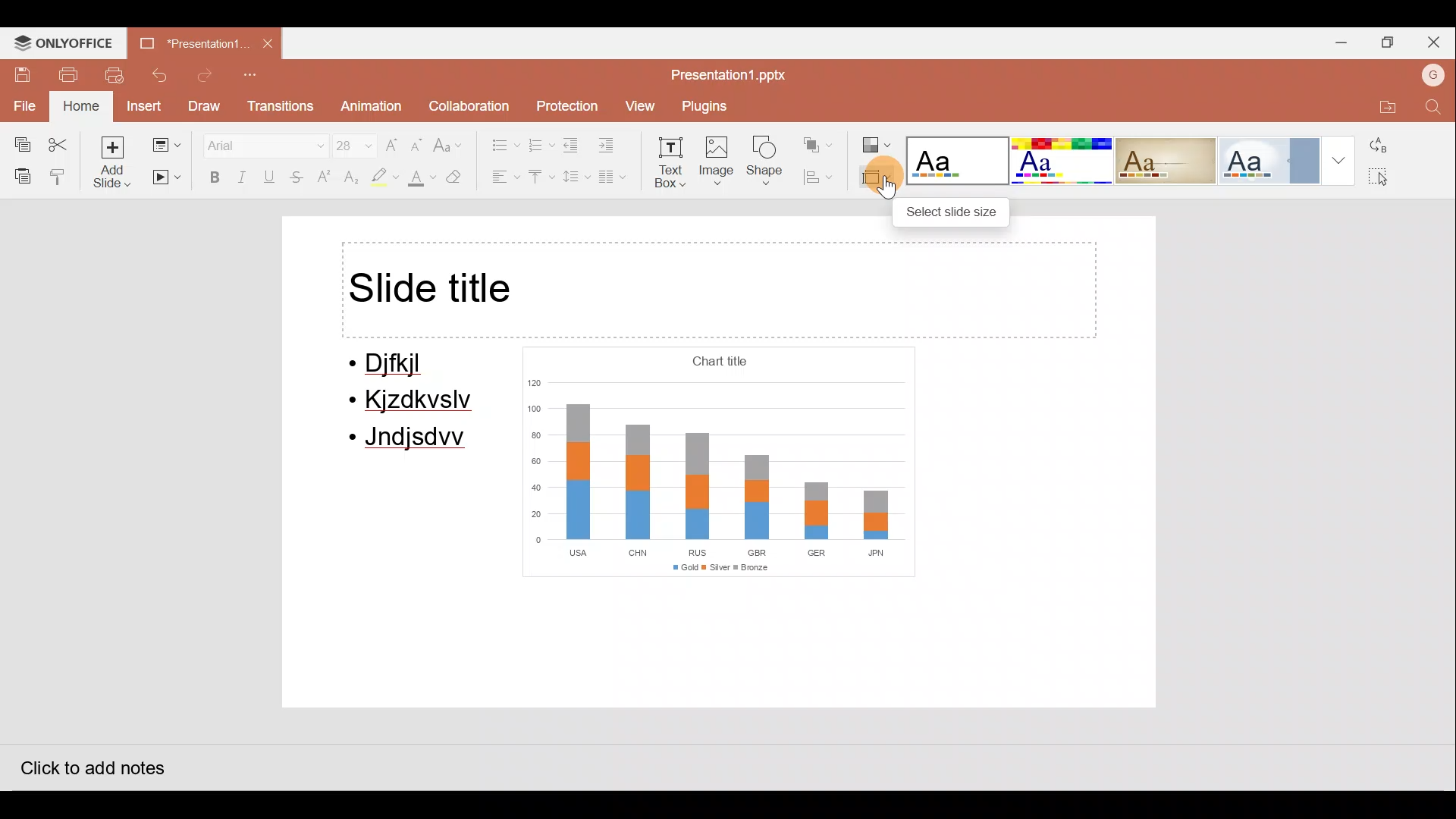 This screenshot has height=819, width=1456. Describe the element at coordinates (564, 101) in the screenshot. I see `Protection` at that location.